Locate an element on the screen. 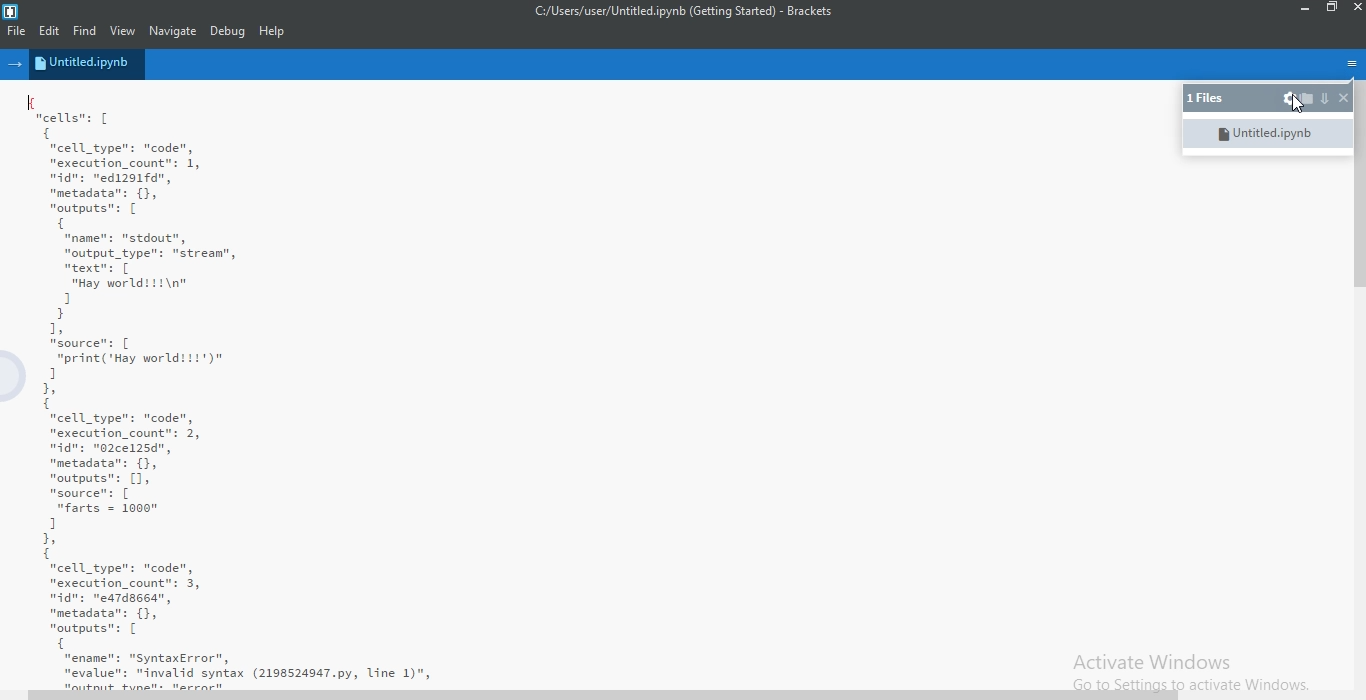  untitled.ipynb is located at coordinates (1265, 132).